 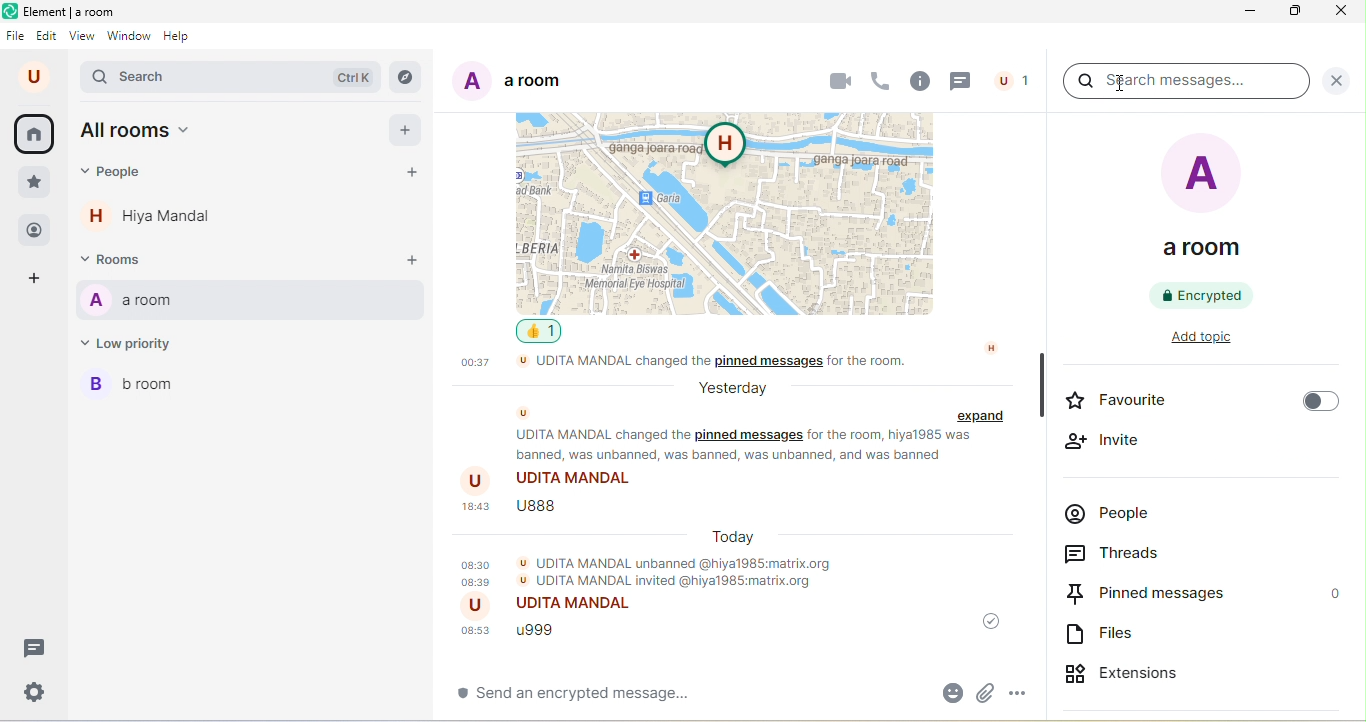 What do you see at coordinates (730, 388) in the screenshot?
I see `yesterday` at bounding box center [730, 388].